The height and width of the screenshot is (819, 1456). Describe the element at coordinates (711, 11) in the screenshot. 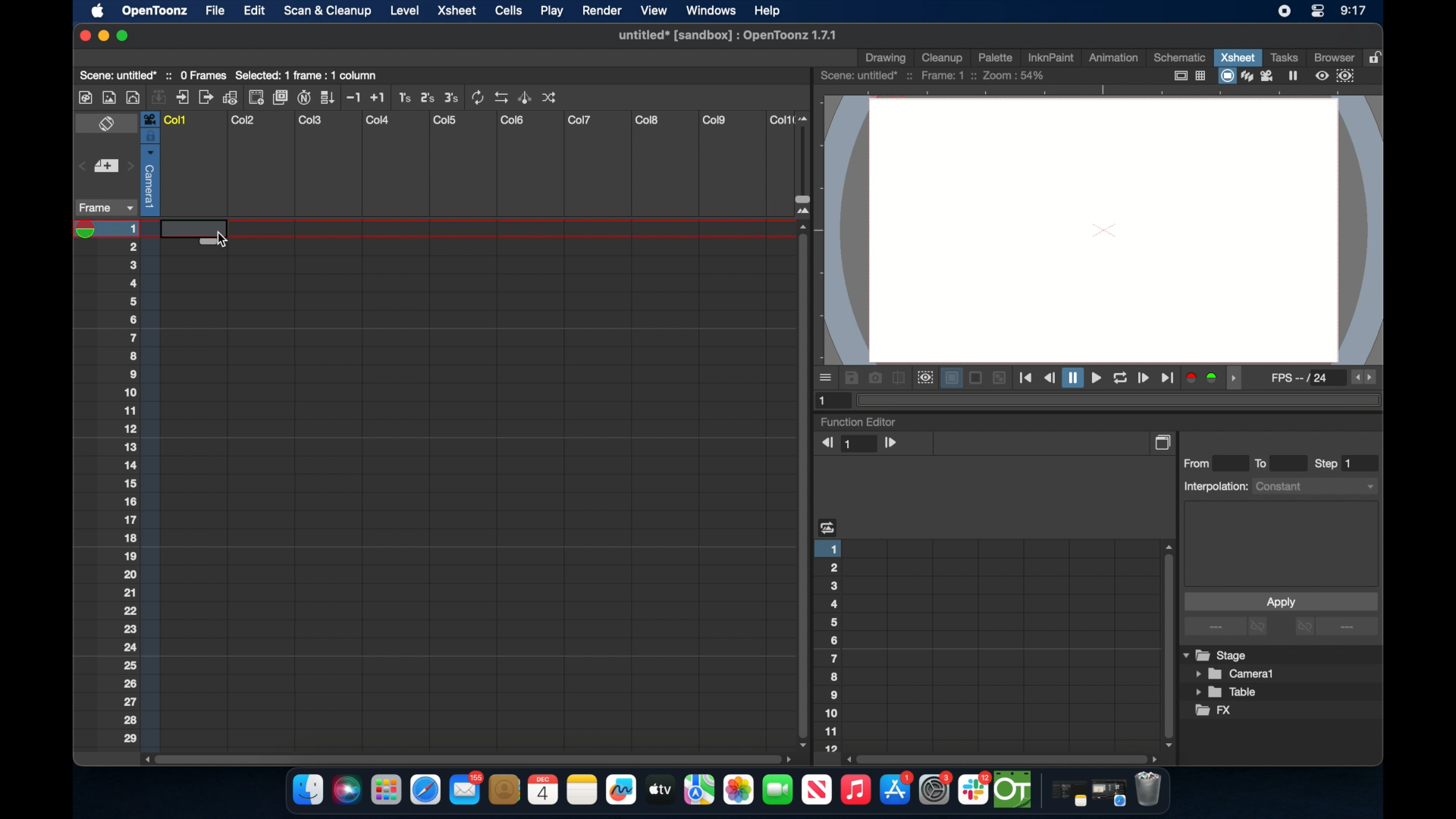

I see `windows` at that location.